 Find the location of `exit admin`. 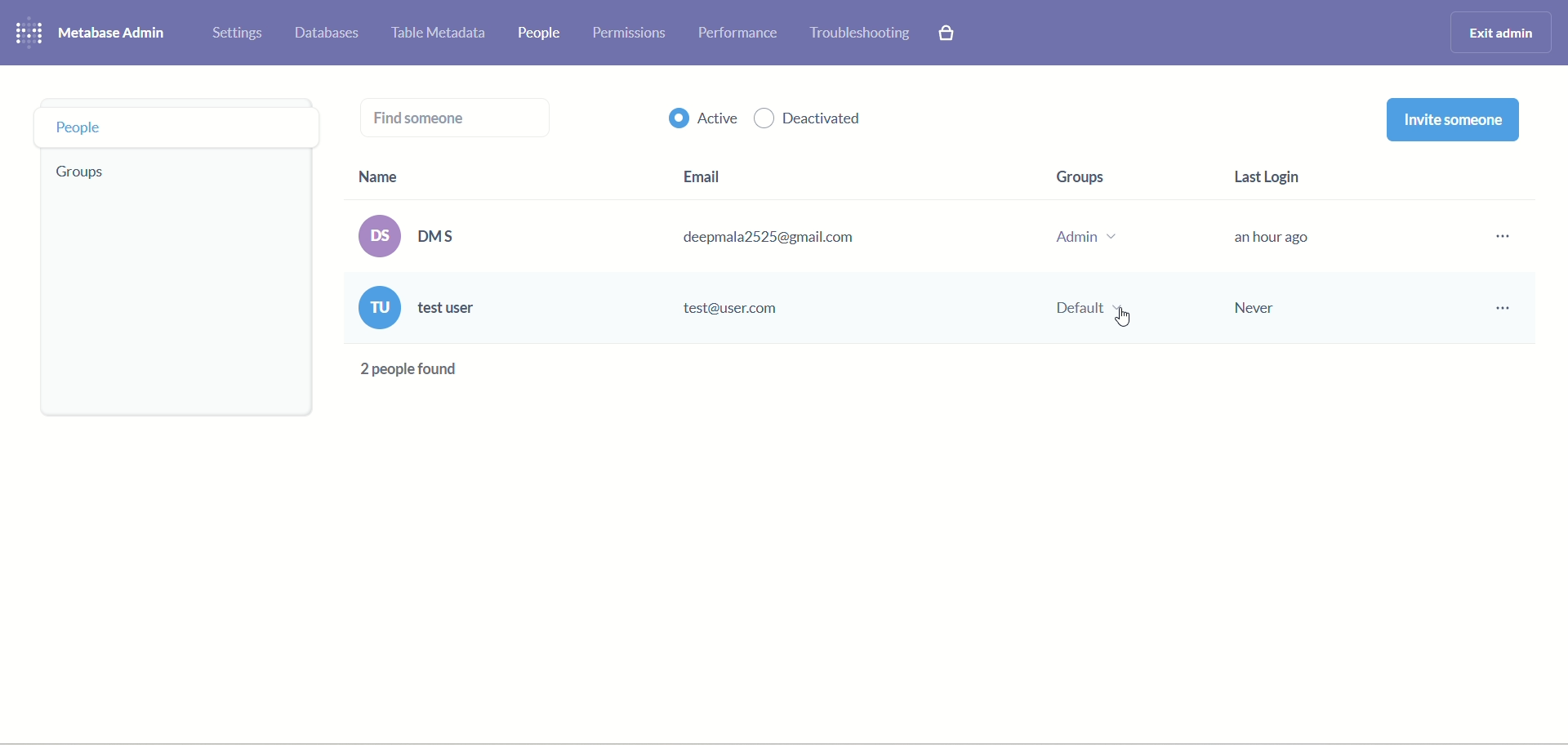

exit admin is located at coordinates (1503, 30).